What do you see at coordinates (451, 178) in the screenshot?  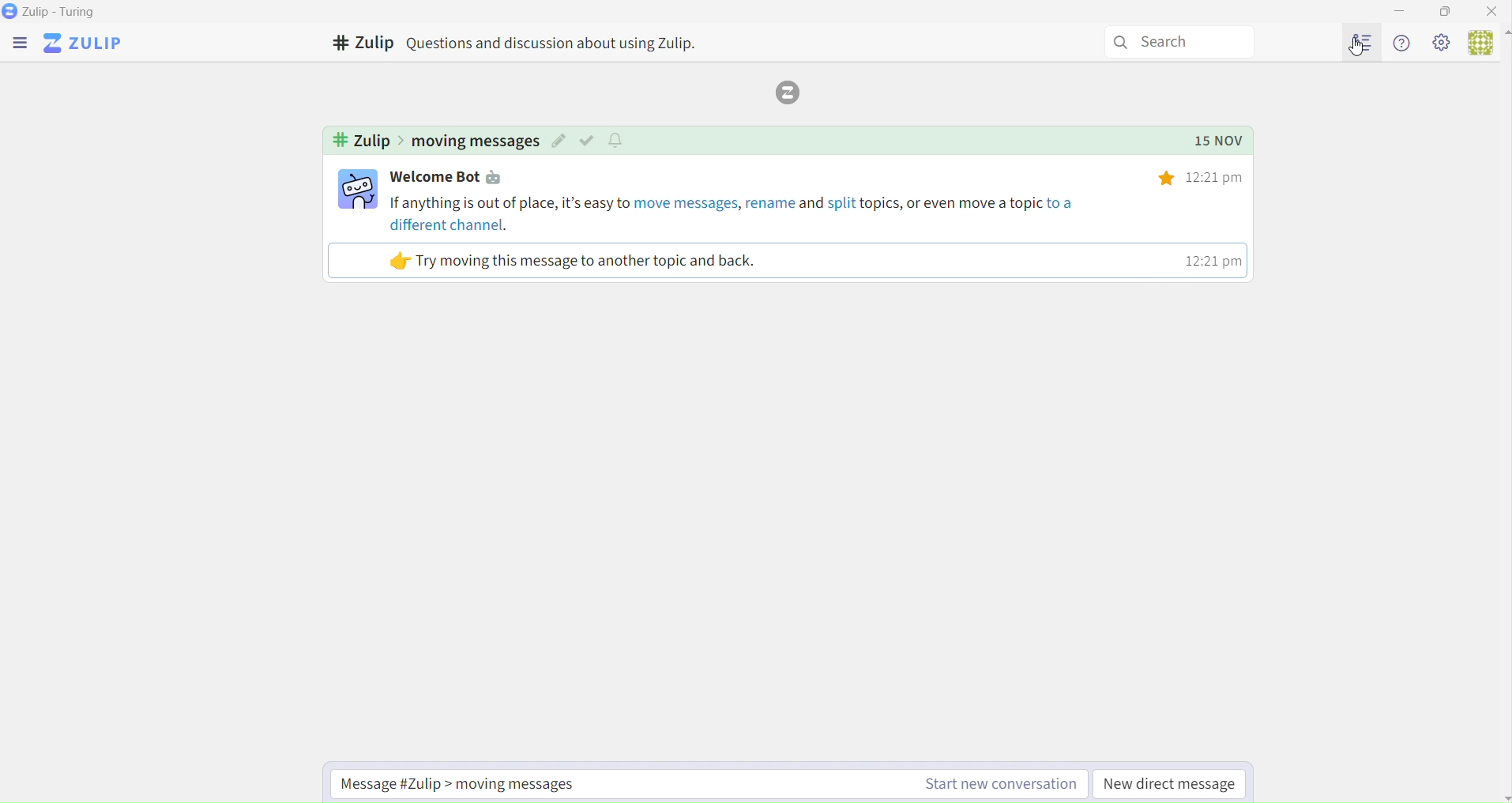 I see `Welcome Bot ` at bounding box center [451, 178].